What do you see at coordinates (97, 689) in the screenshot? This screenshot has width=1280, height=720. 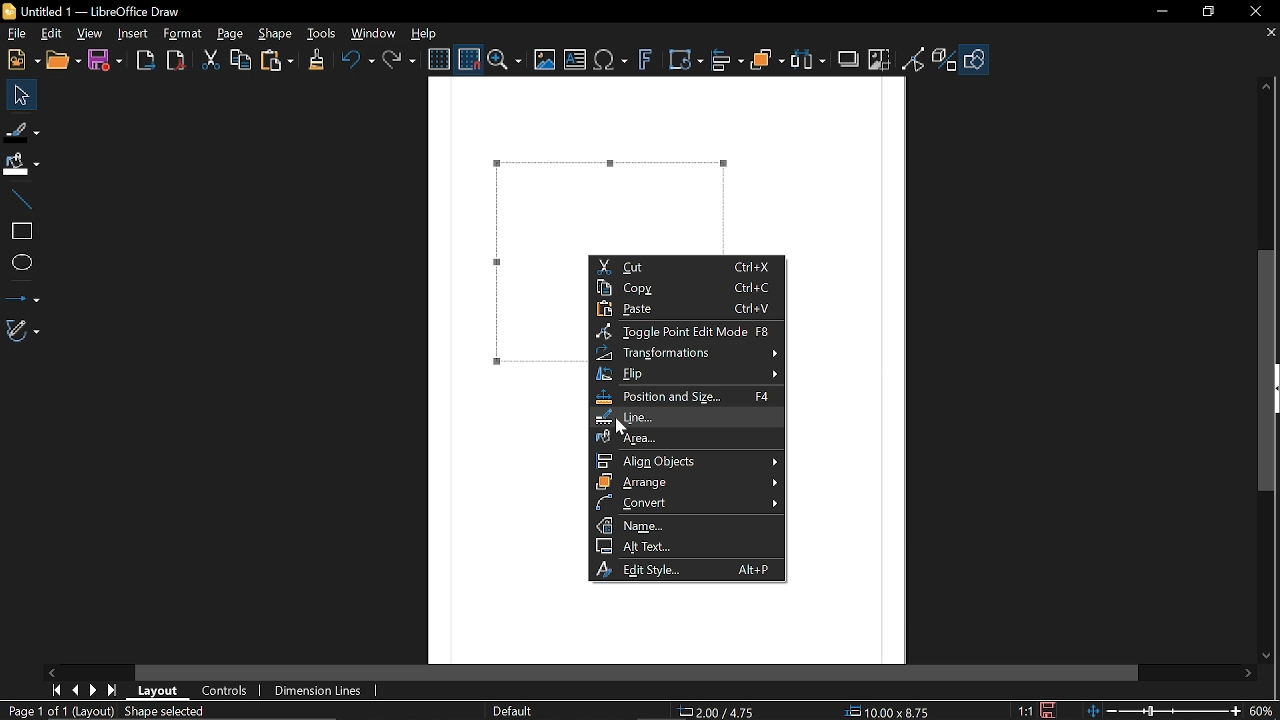 I see `Next page` at bounding box center [97, 689].